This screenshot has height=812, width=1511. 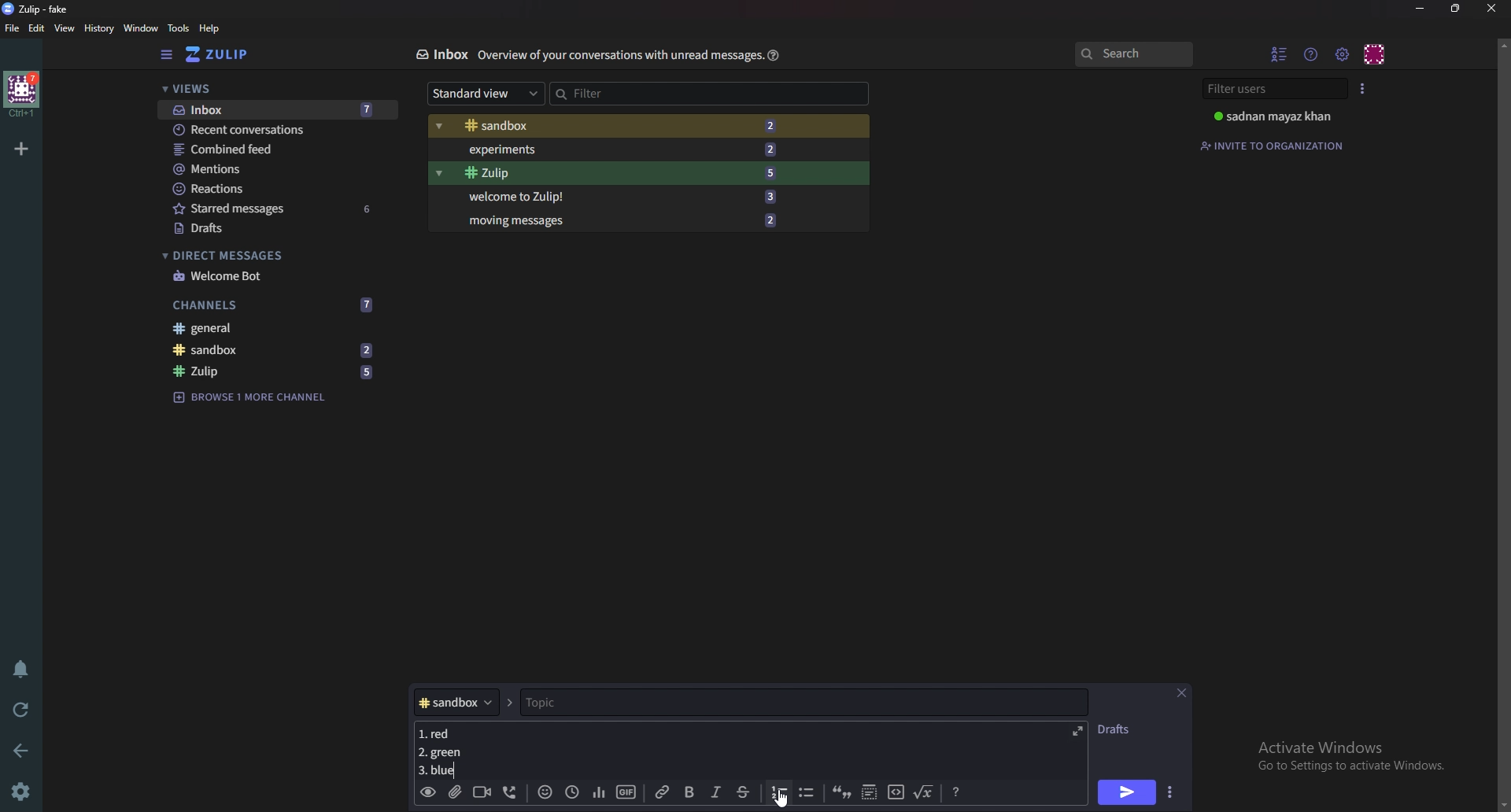 I want to click on Sandbox, so click(x=622, y=126).